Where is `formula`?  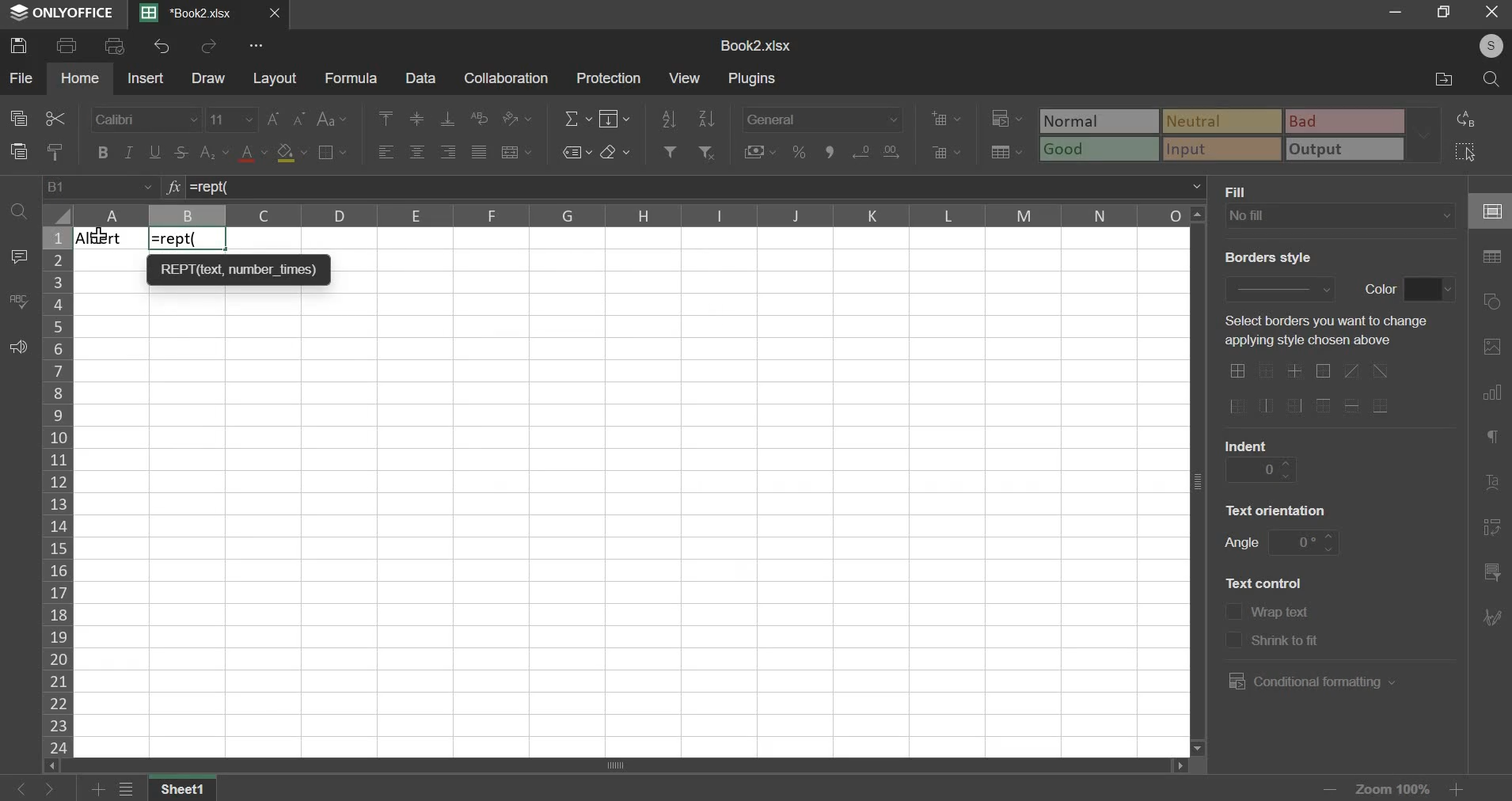 formula is located at coordinates (352, 78).